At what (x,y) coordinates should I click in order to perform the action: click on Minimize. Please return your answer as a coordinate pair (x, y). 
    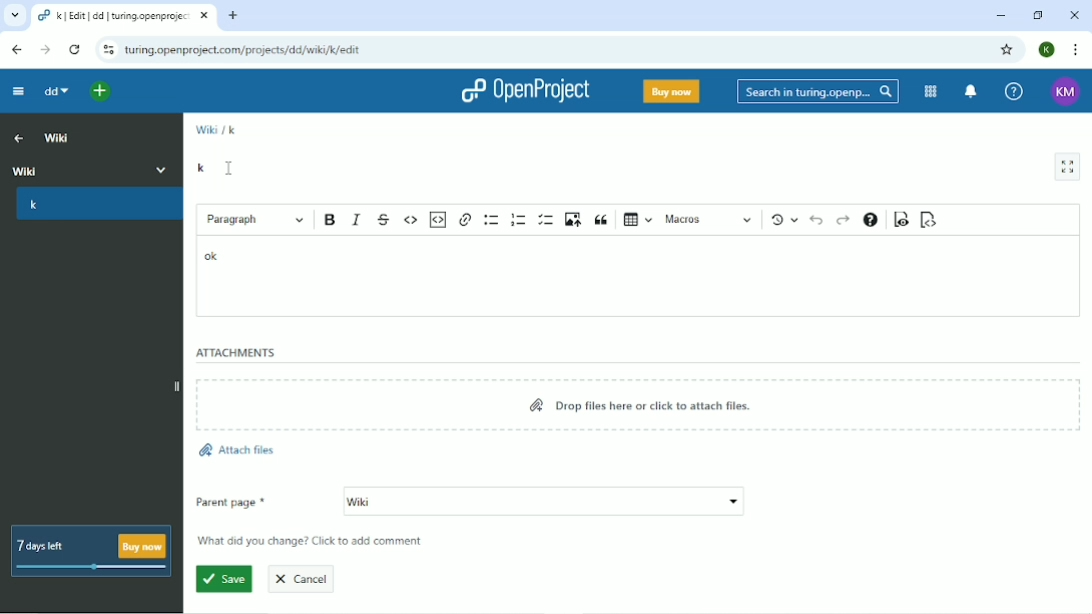
    Looking at the image, I should click on (1001, 16).